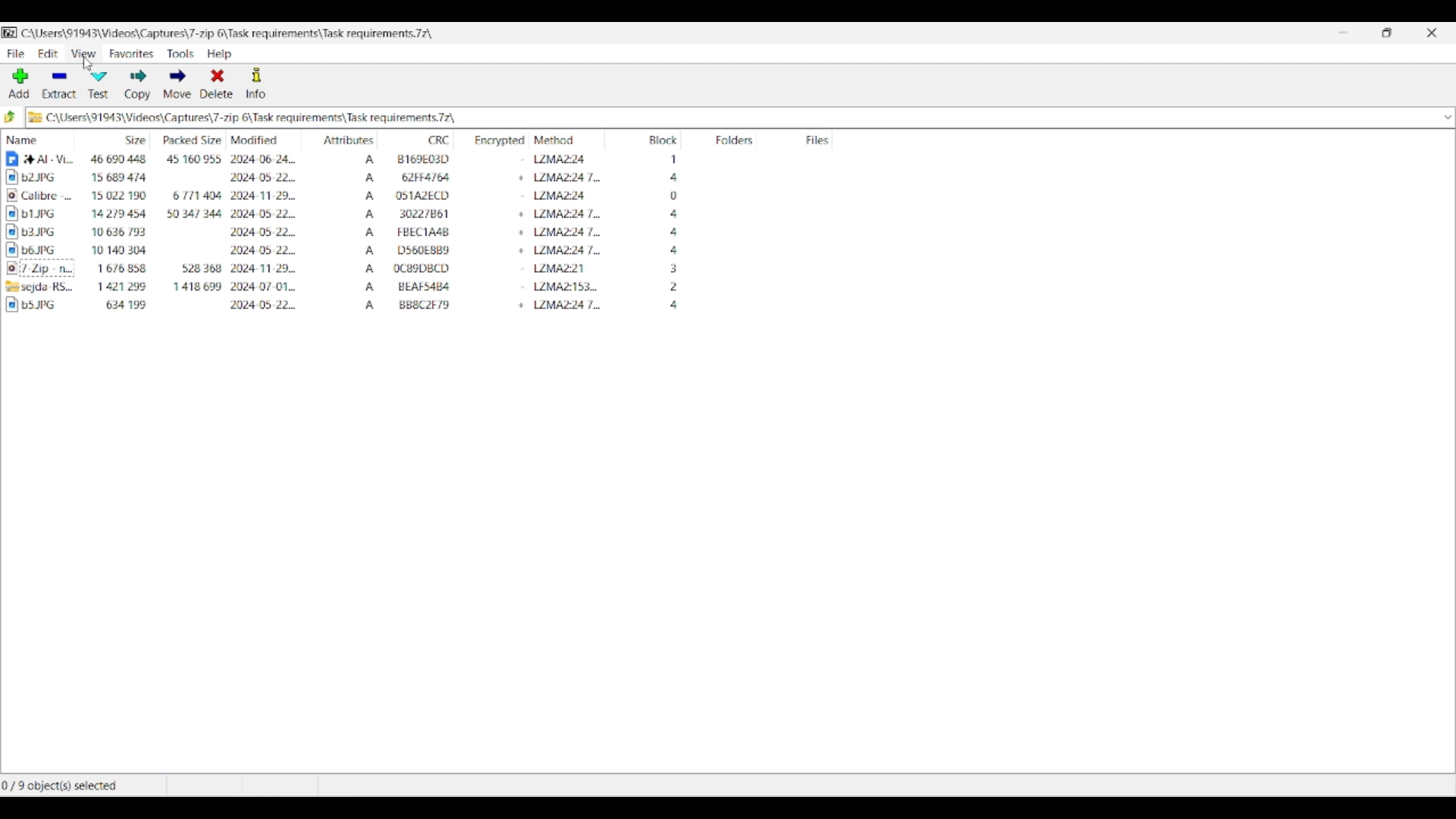 The width and height of the screenshot is (1456, 819). Describe the element at coordinates (243, 118) in the screenshot. I see `Folder icon and pathway` at that location.